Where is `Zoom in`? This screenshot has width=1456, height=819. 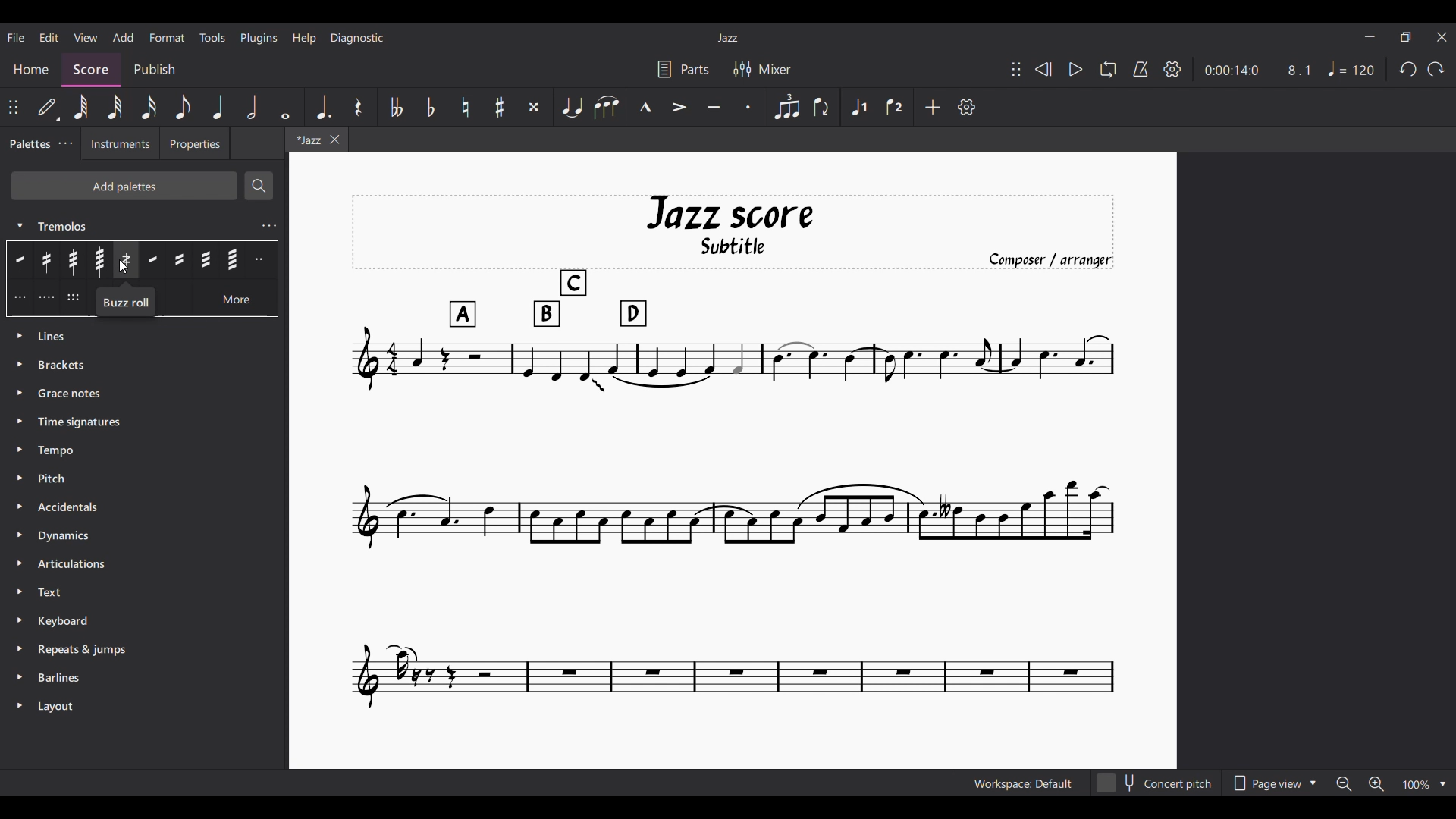 Zoom in is located at coordinates (1376, 783).